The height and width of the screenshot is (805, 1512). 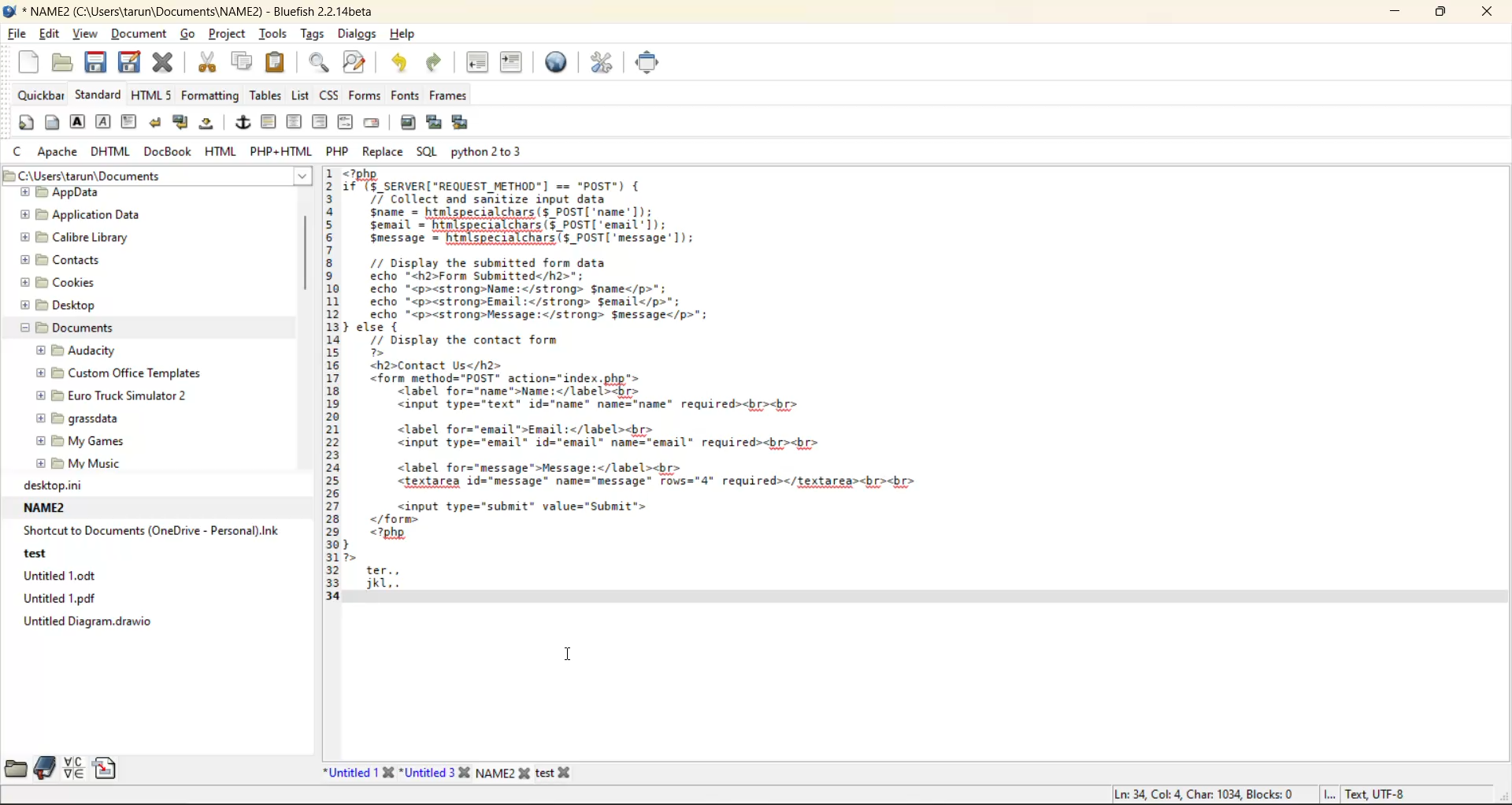 I want to click on find, so click(x=319, y=63).